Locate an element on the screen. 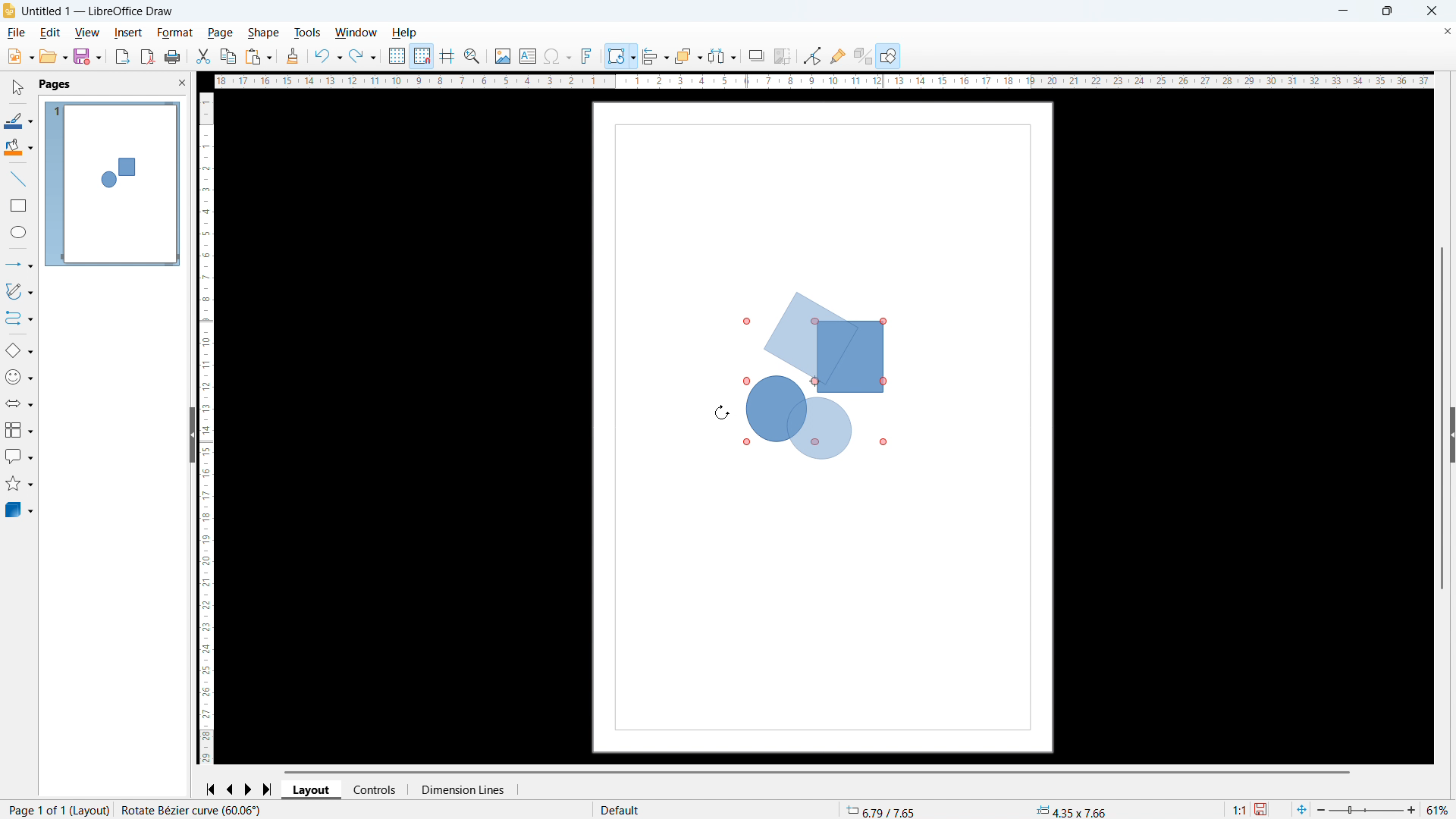 This screenshot has height=819, width=1456. Sidebar is located at coordinates (1447, 434).